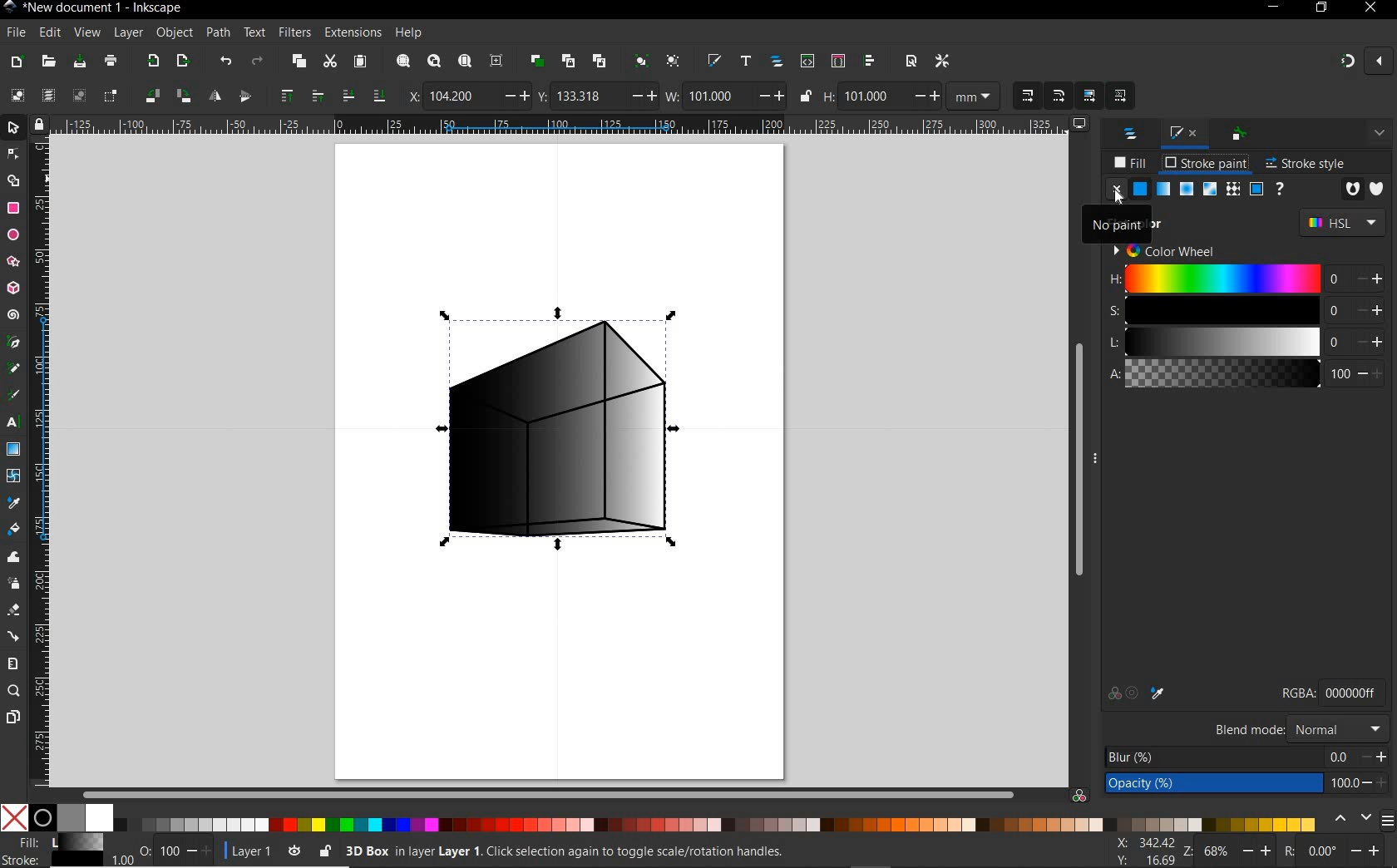  Describe the element at coordinates (497, 61) in the screenshot. I see `ZOOM CENTER PAGE` at that location.